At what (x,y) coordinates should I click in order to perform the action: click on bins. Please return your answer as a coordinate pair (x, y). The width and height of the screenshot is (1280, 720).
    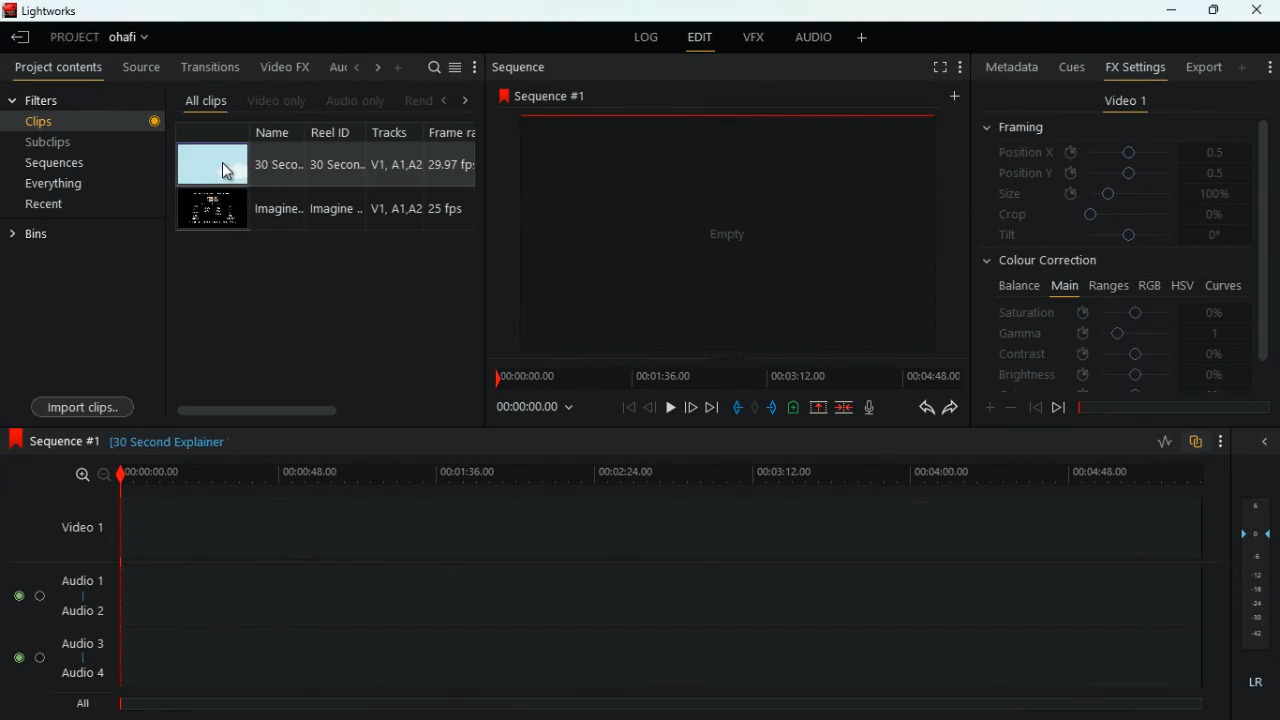
    Looking at the image, I should click on (34, 235).